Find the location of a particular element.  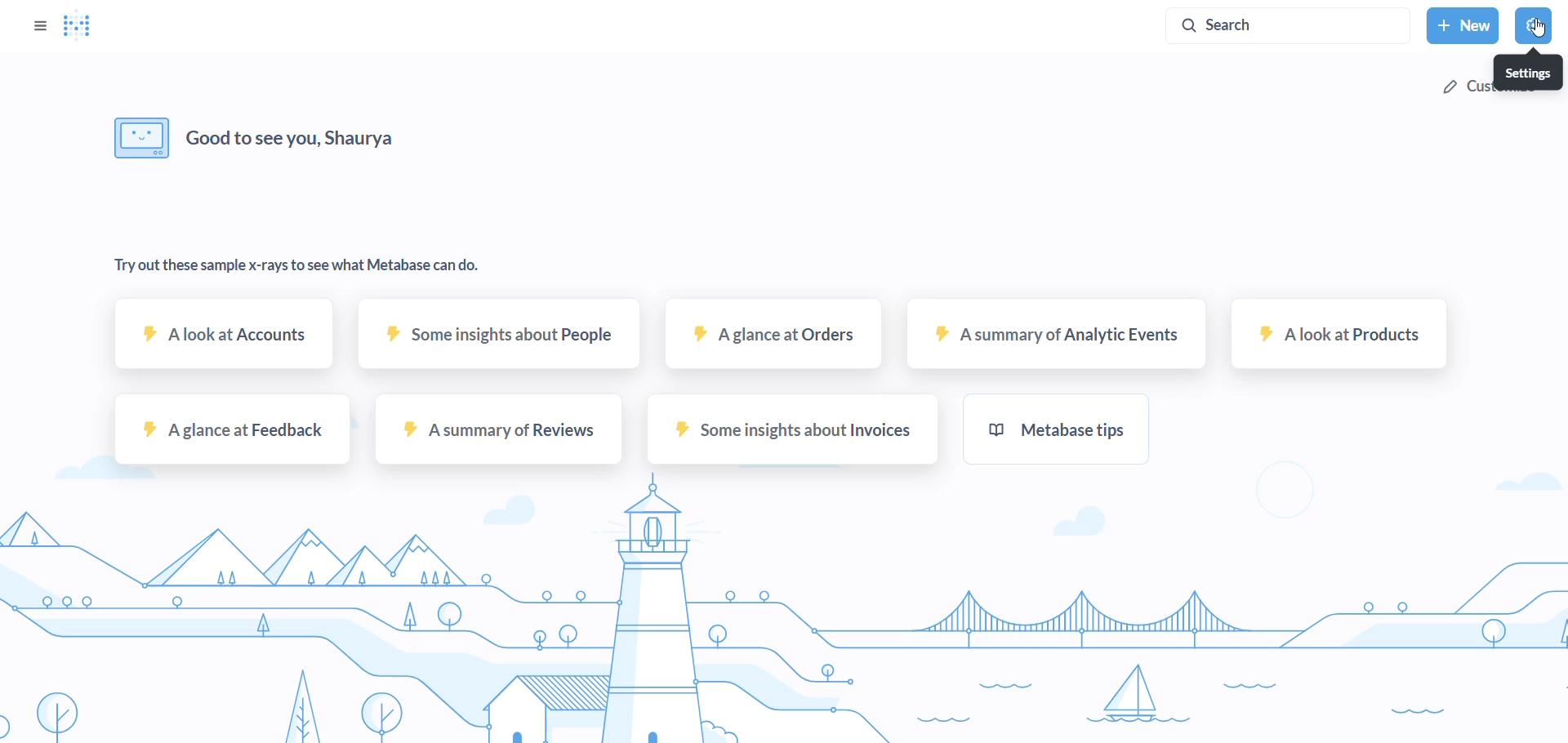

A summary of Analytic events is located at coordinates (1062, 341).